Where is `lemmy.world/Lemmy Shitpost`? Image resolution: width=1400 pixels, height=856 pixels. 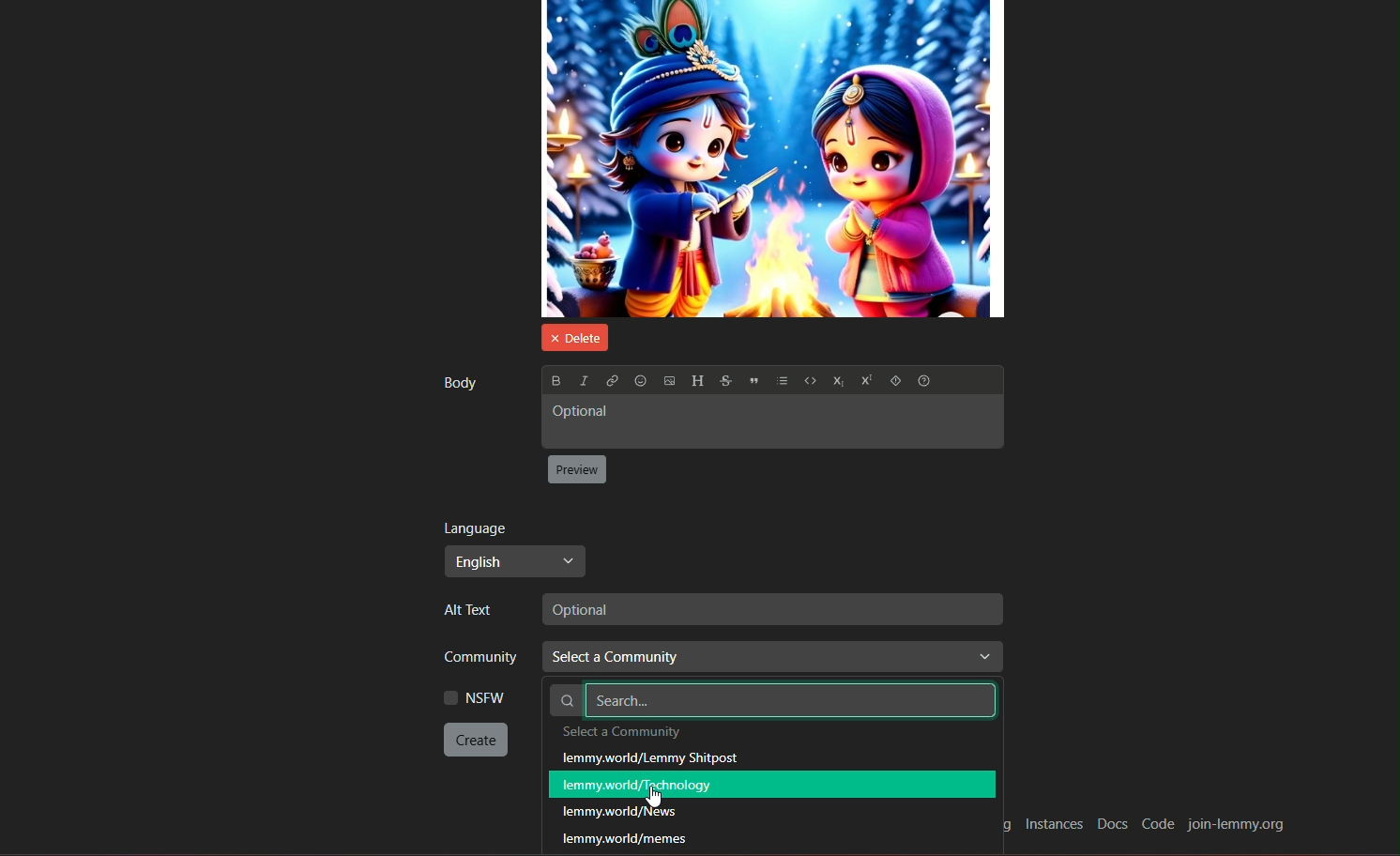
lemmy.world/Lemmy Shitpost is located at coordinates (652, 757).